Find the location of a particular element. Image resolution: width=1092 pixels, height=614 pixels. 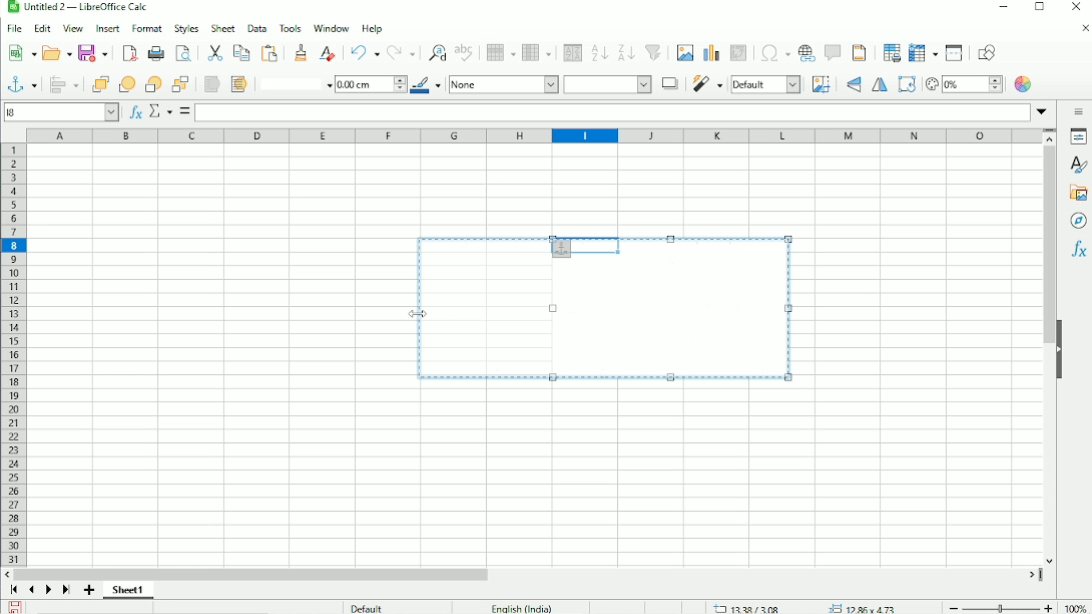

Styles is located at coordinates (187, 28).